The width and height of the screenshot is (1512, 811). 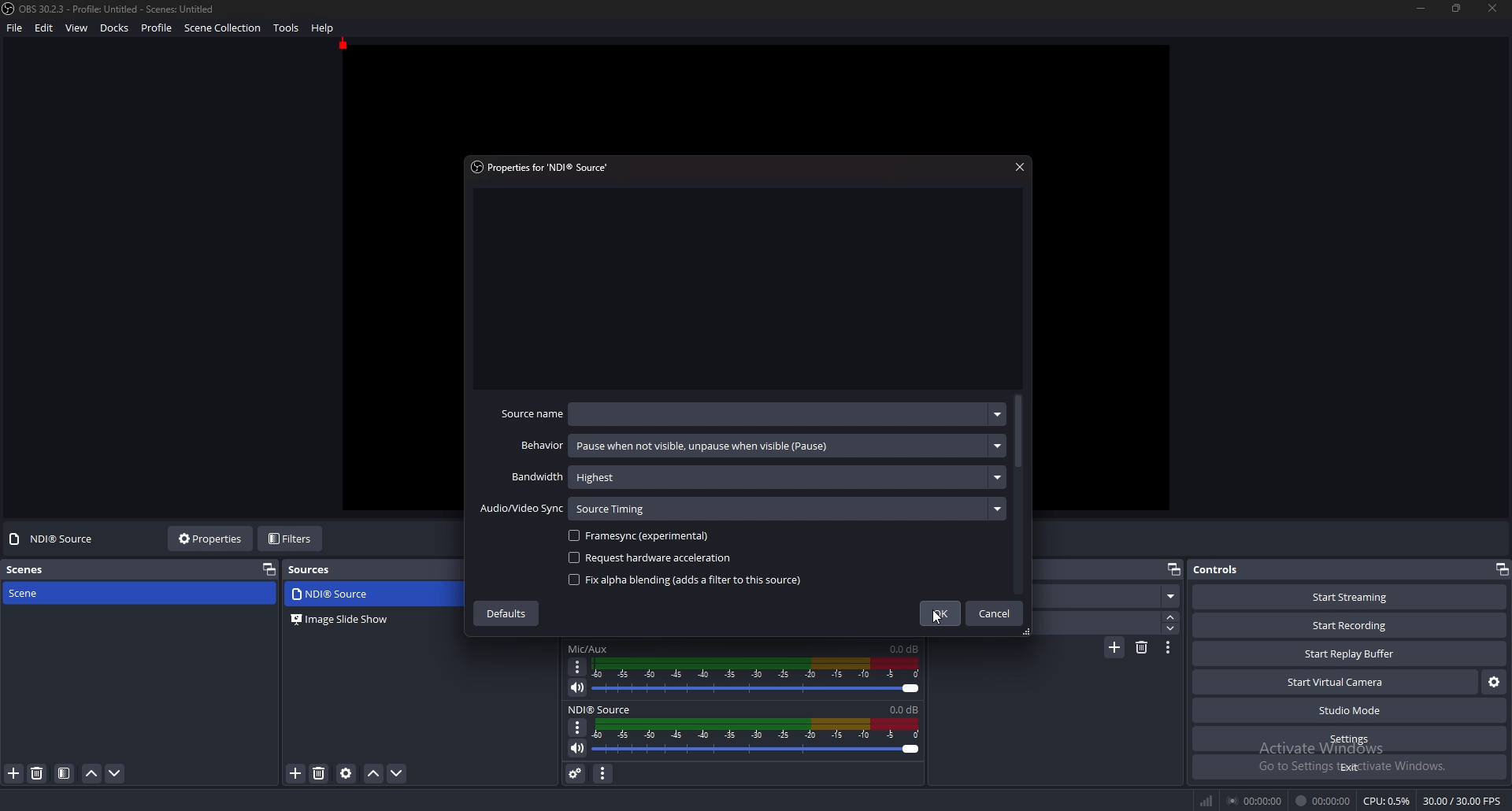 I want to click on file, so click(x=15, y=28).